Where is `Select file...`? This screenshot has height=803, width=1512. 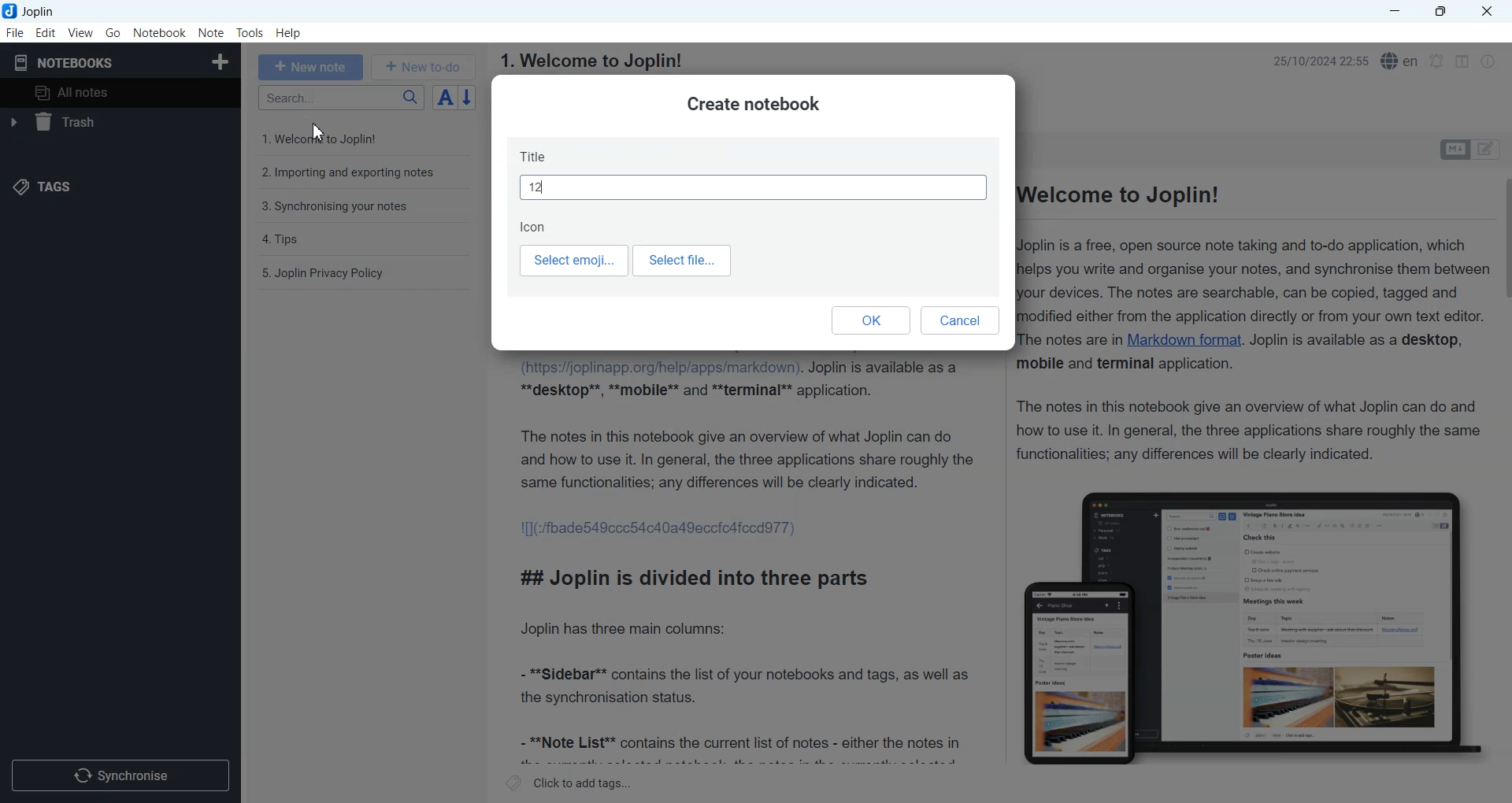 Select file... is located at coordinates (684, 261).